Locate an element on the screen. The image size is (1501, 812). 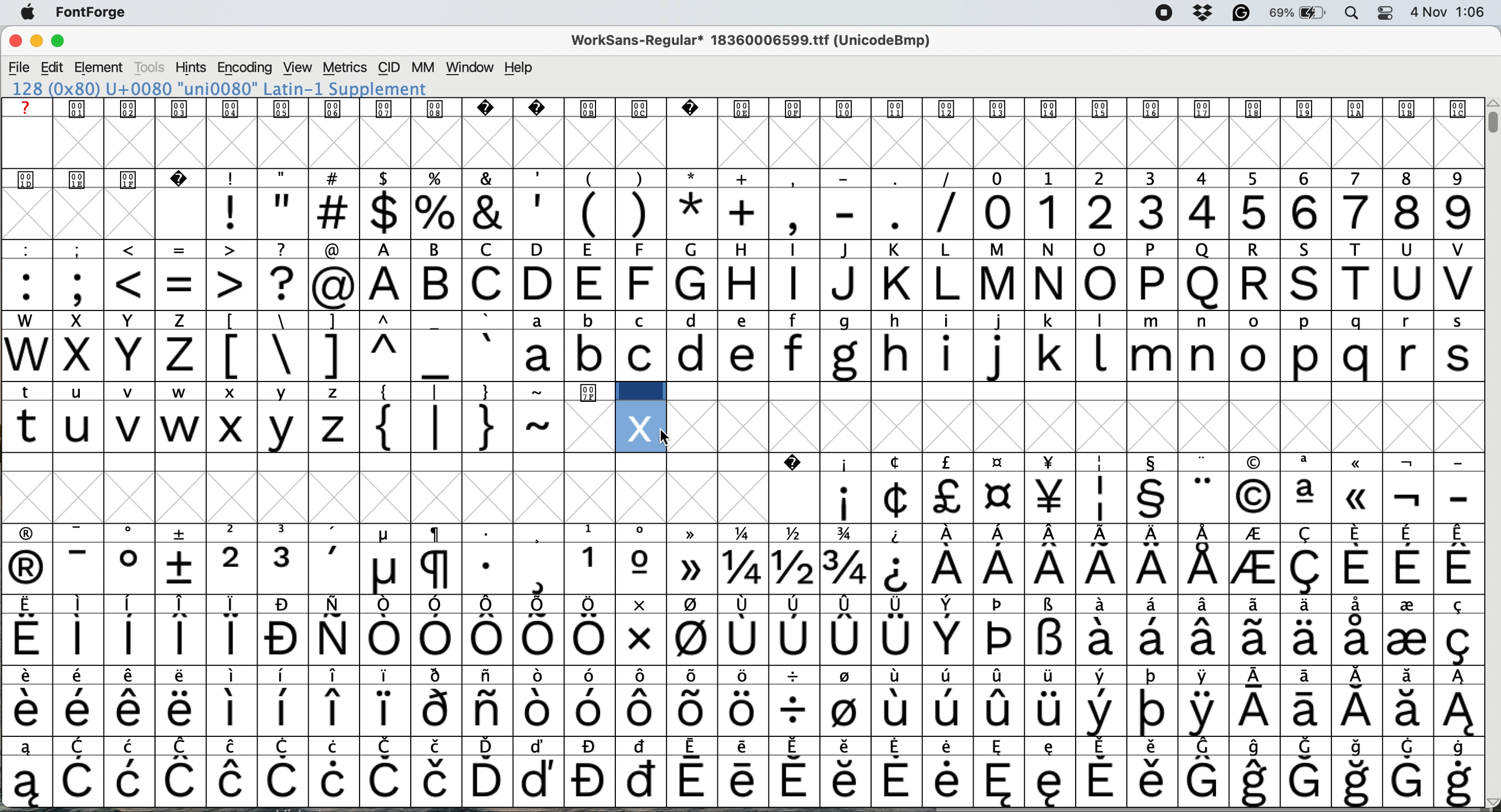
special characters  is located at coordinates (61, 391).